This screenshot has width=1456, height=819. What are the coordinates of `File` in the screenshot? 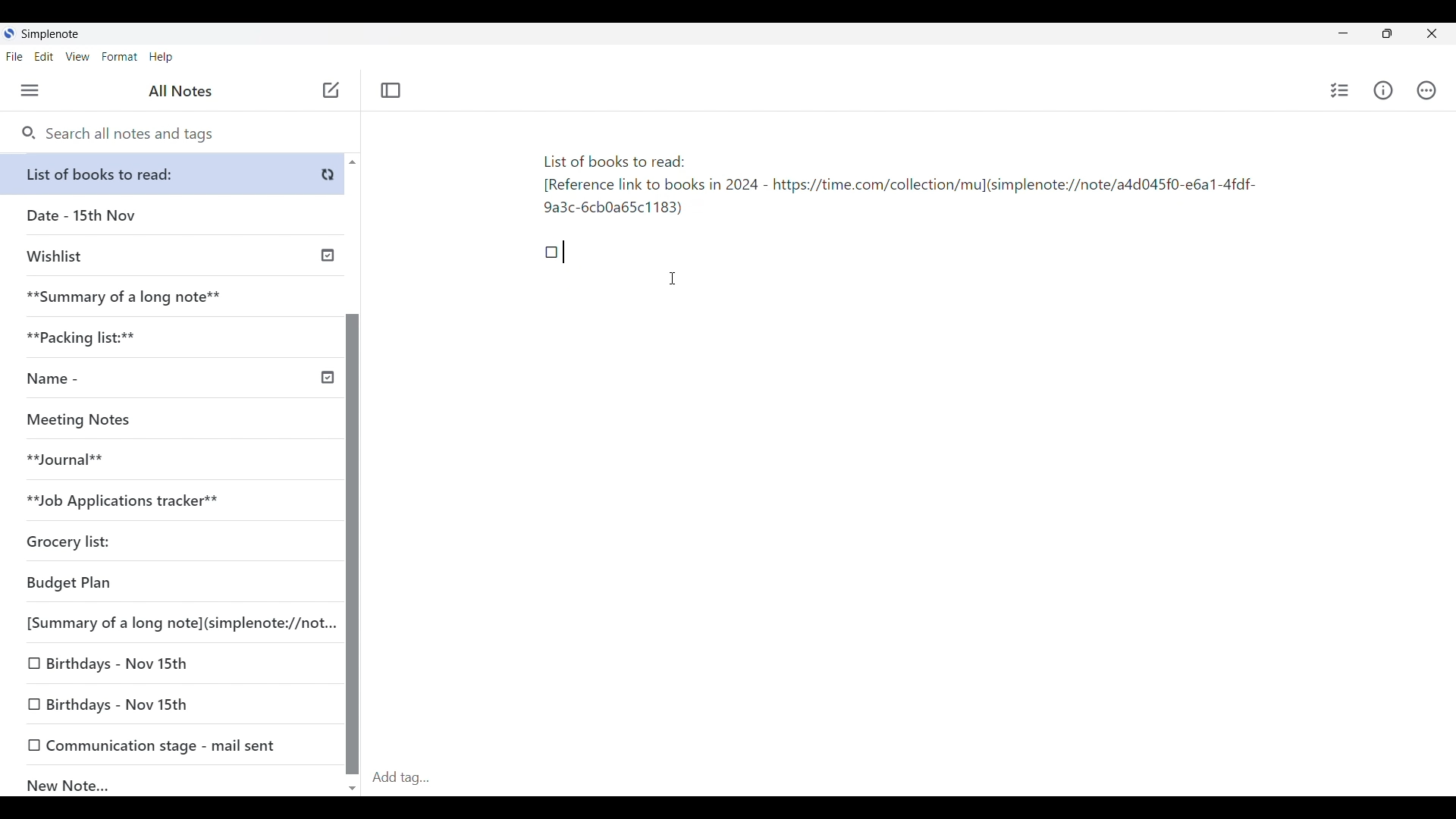 It's located at (14, 57).